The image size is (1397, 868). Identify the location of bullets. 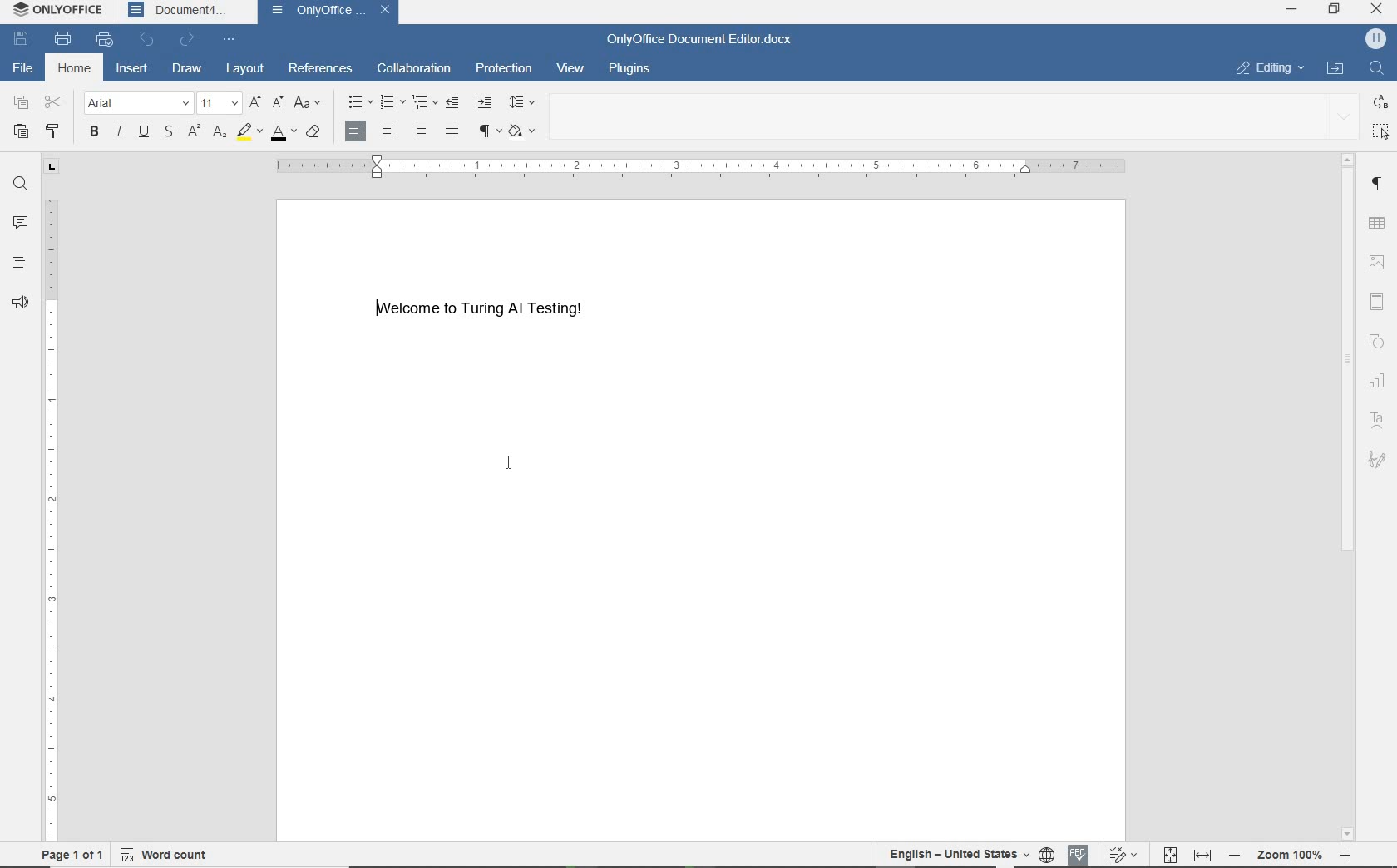
(358, 101).